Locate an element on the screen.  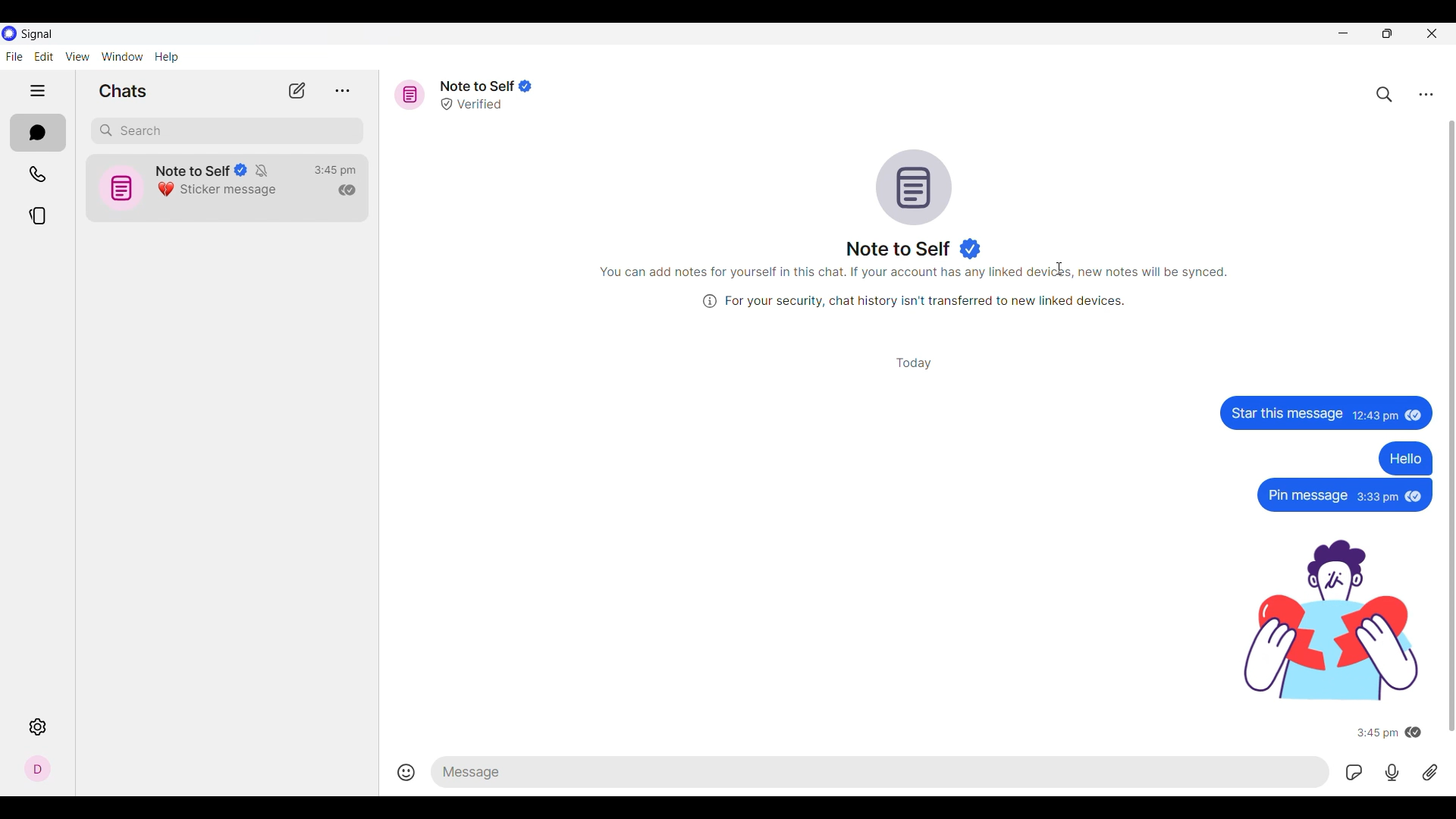
GIFs is located at coordinates (1354, 772).